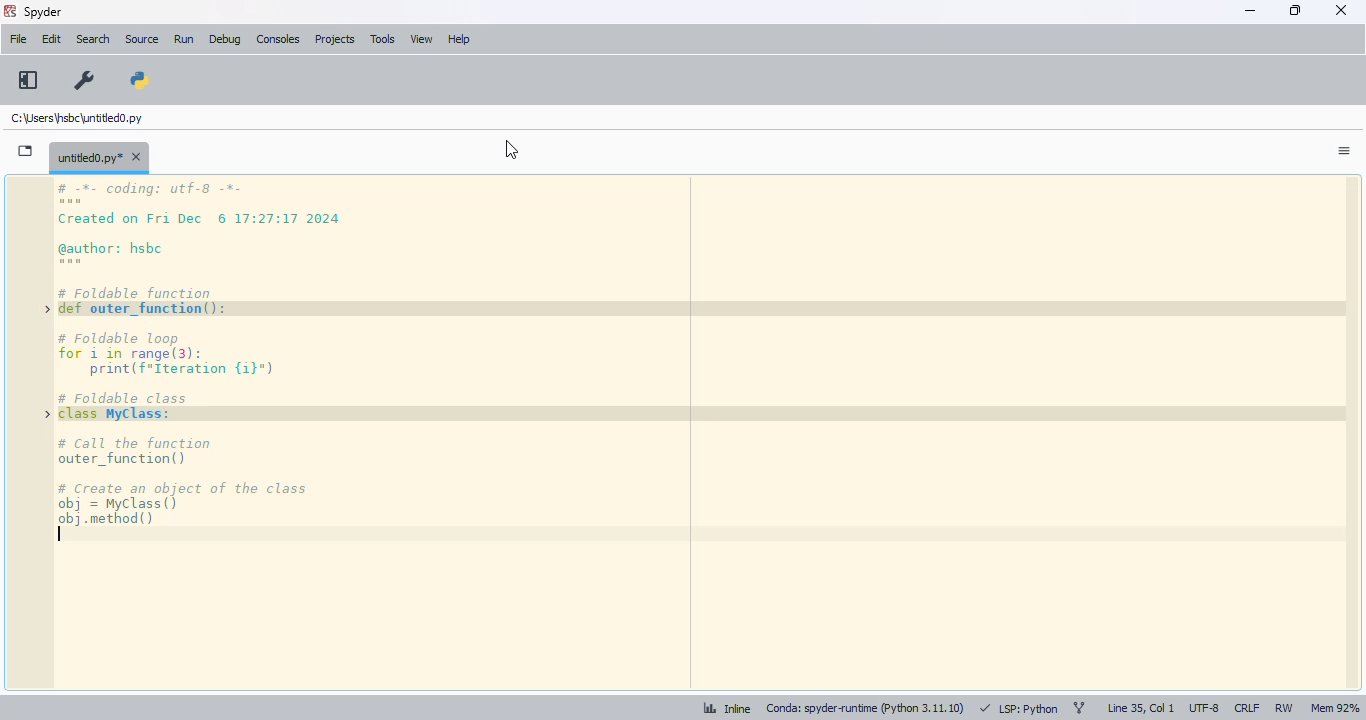  Describe the element at coordinates (719, 710) in the screenshot. I see `inline` at that location.